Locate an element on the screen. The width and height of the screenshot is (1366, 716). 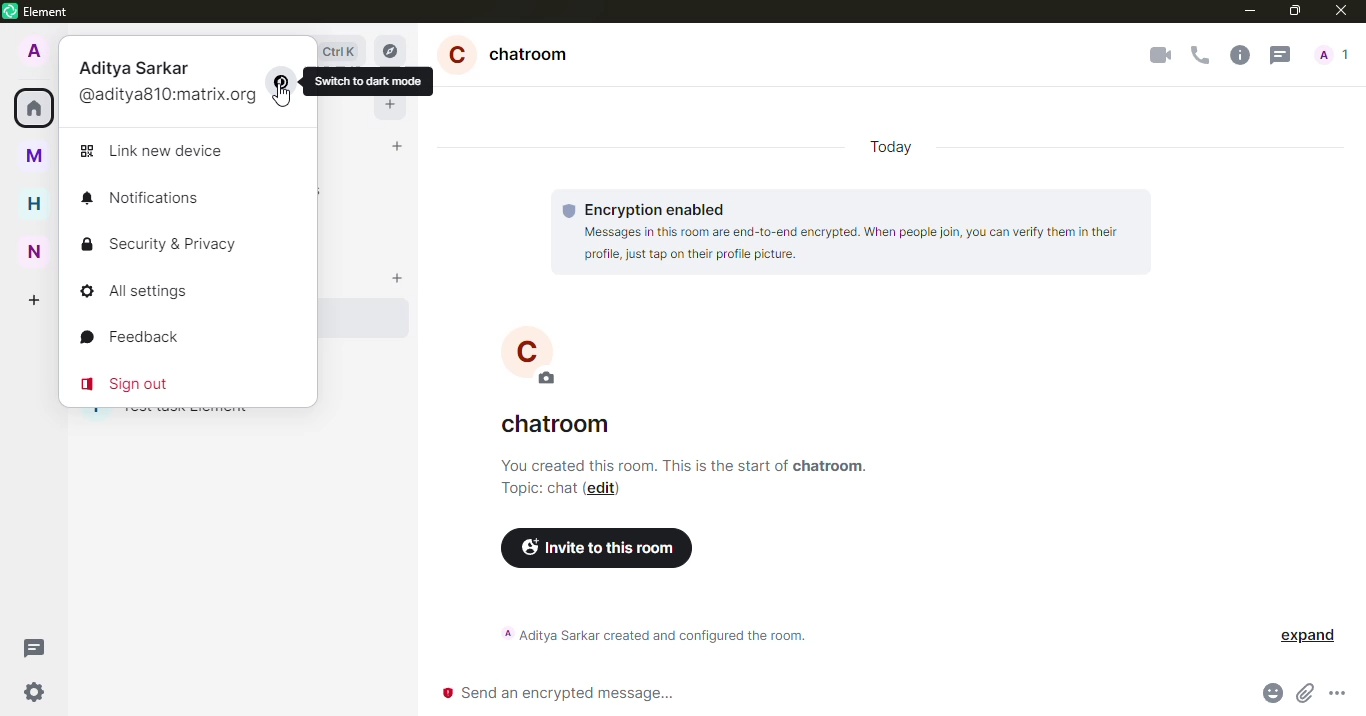
threads is located at coordinates (1280, 55).